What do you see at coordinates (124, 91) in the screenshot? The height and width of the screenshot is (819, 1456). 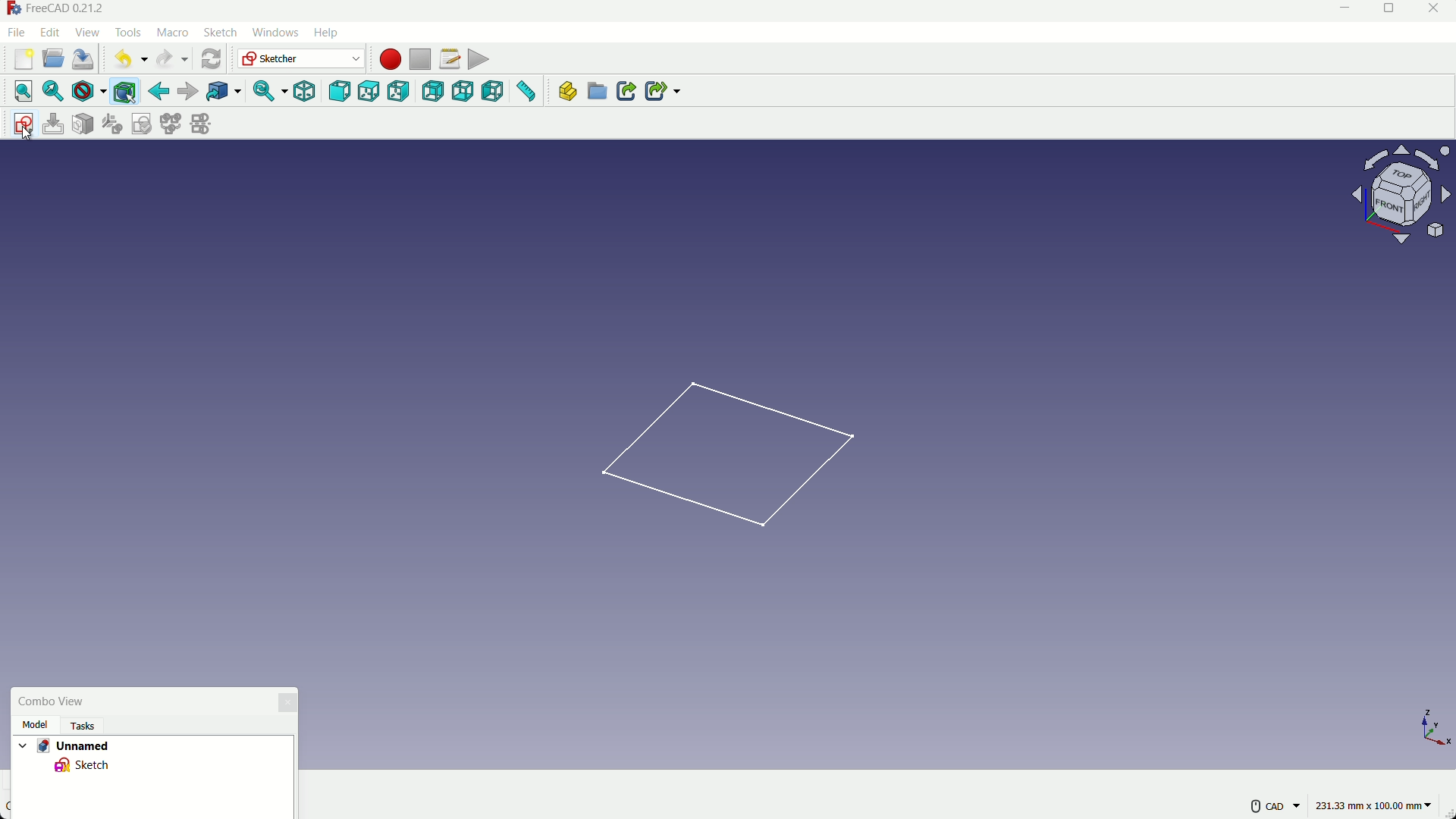 I see `bounding box` at bounding box center [124, 91].